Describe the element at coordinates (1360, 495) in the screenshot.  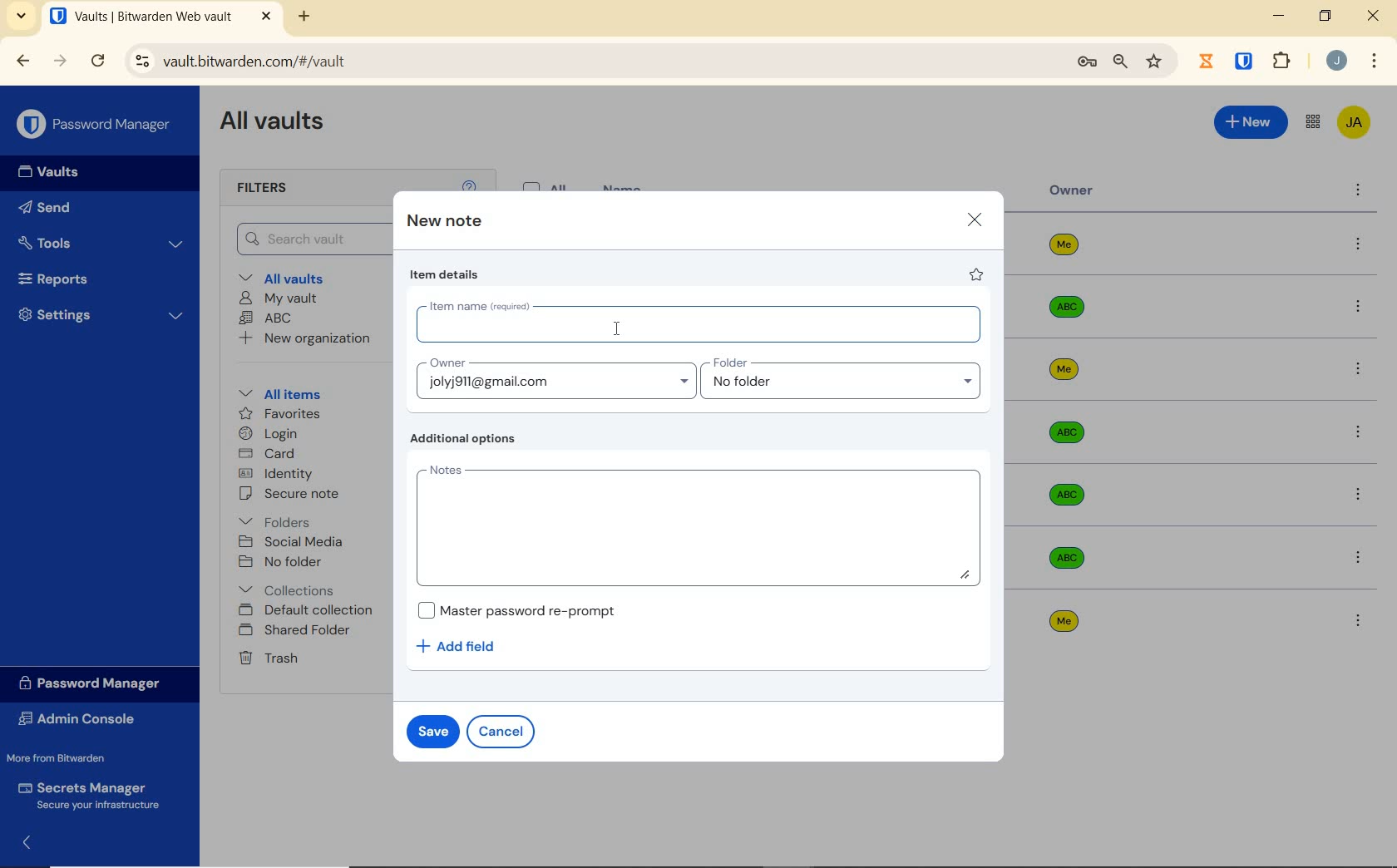
I see `more options` at that location.